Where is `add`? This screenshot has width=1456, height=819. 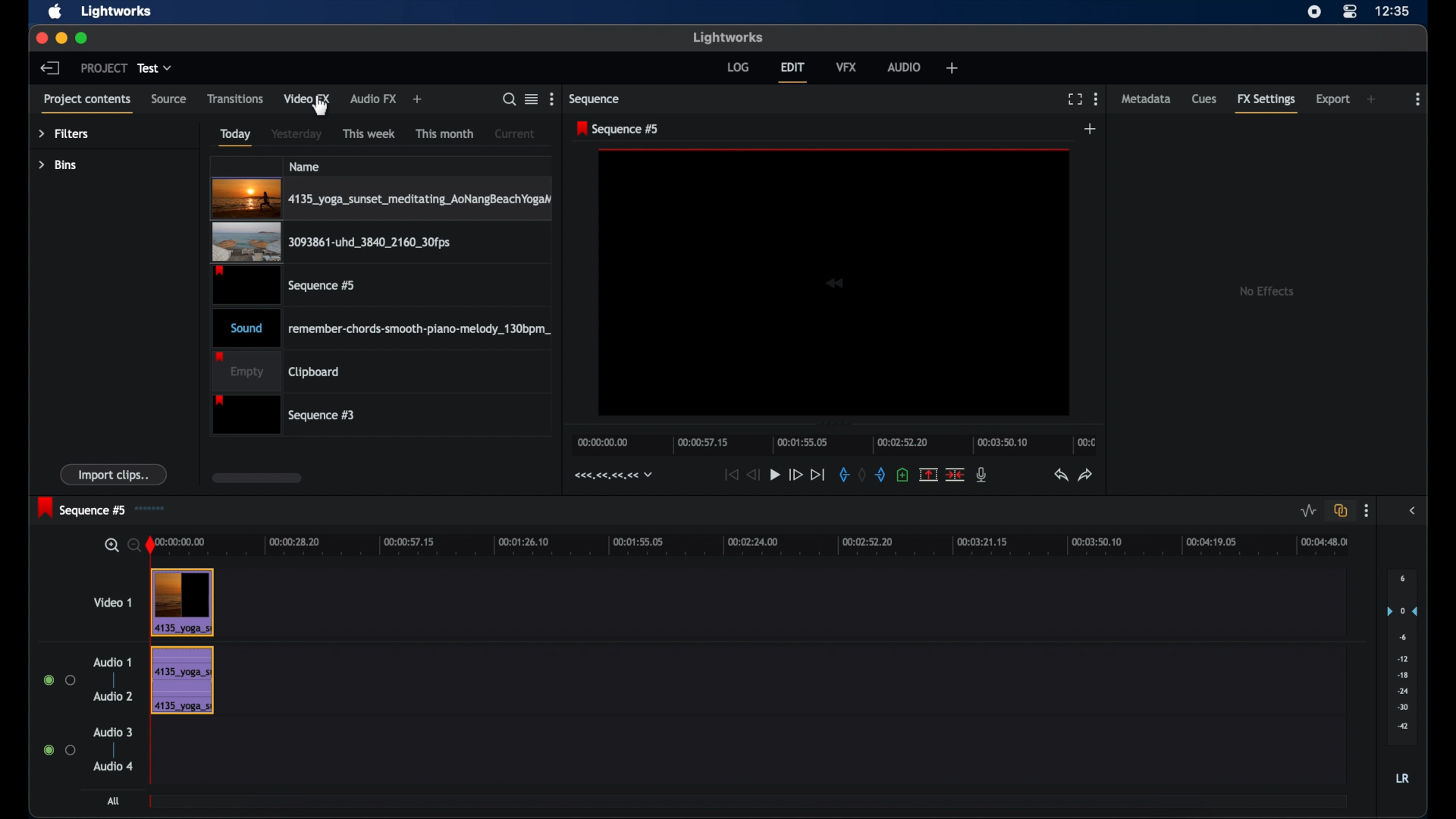 add is located at coordinates (418, 99).